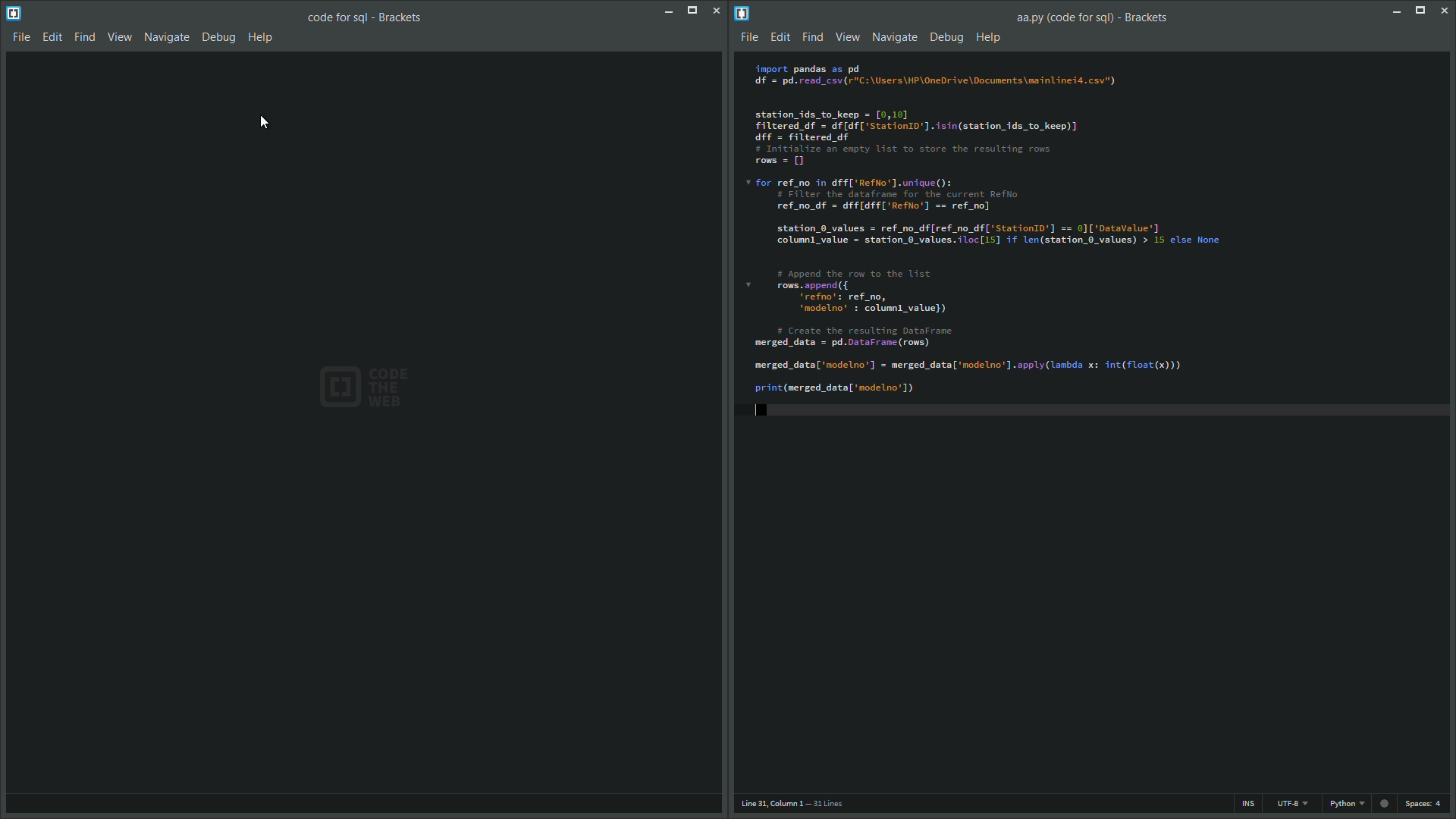 The image size is (1456, 819). I want to click on Spaces 4, so click(1428, 805).